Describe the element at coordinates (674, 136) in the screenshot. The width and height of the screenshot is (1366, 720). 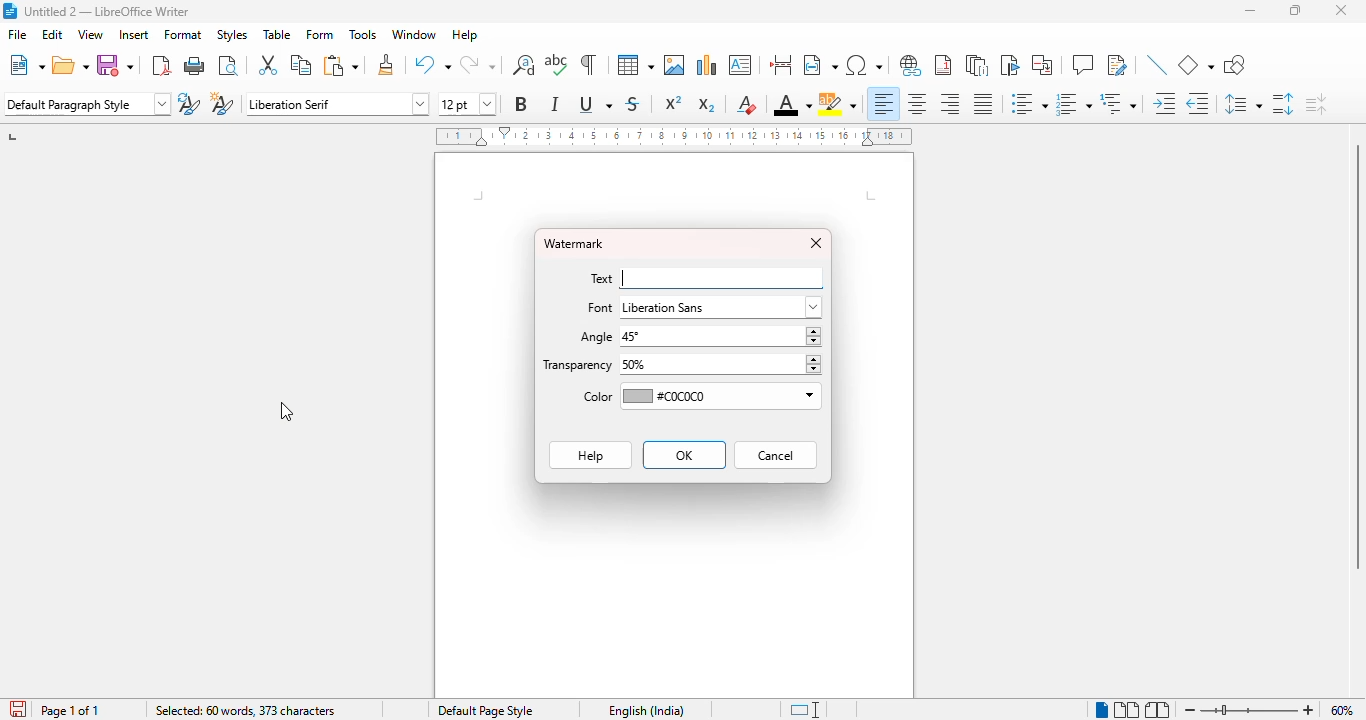
I see `ruler` at that location.